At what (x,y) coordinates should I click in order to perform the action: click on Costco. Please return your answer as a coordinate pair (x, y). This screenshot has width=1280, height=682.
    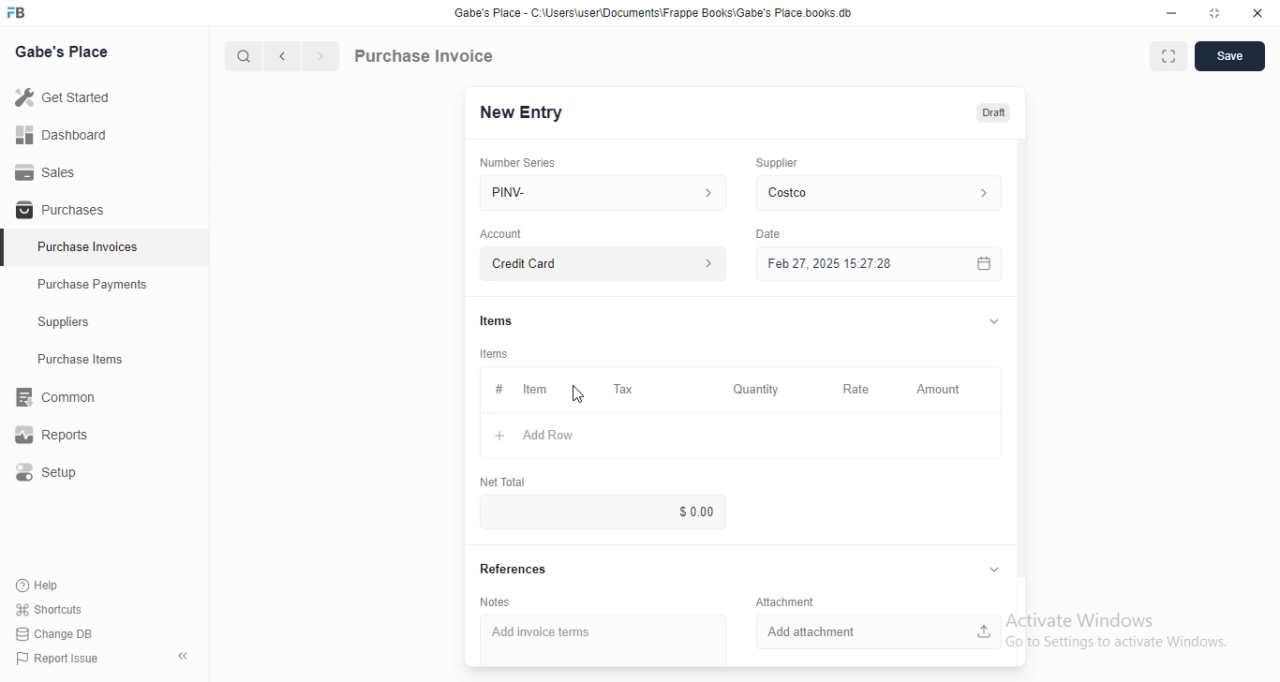
    Looking at the image, I should click on (879, 193).